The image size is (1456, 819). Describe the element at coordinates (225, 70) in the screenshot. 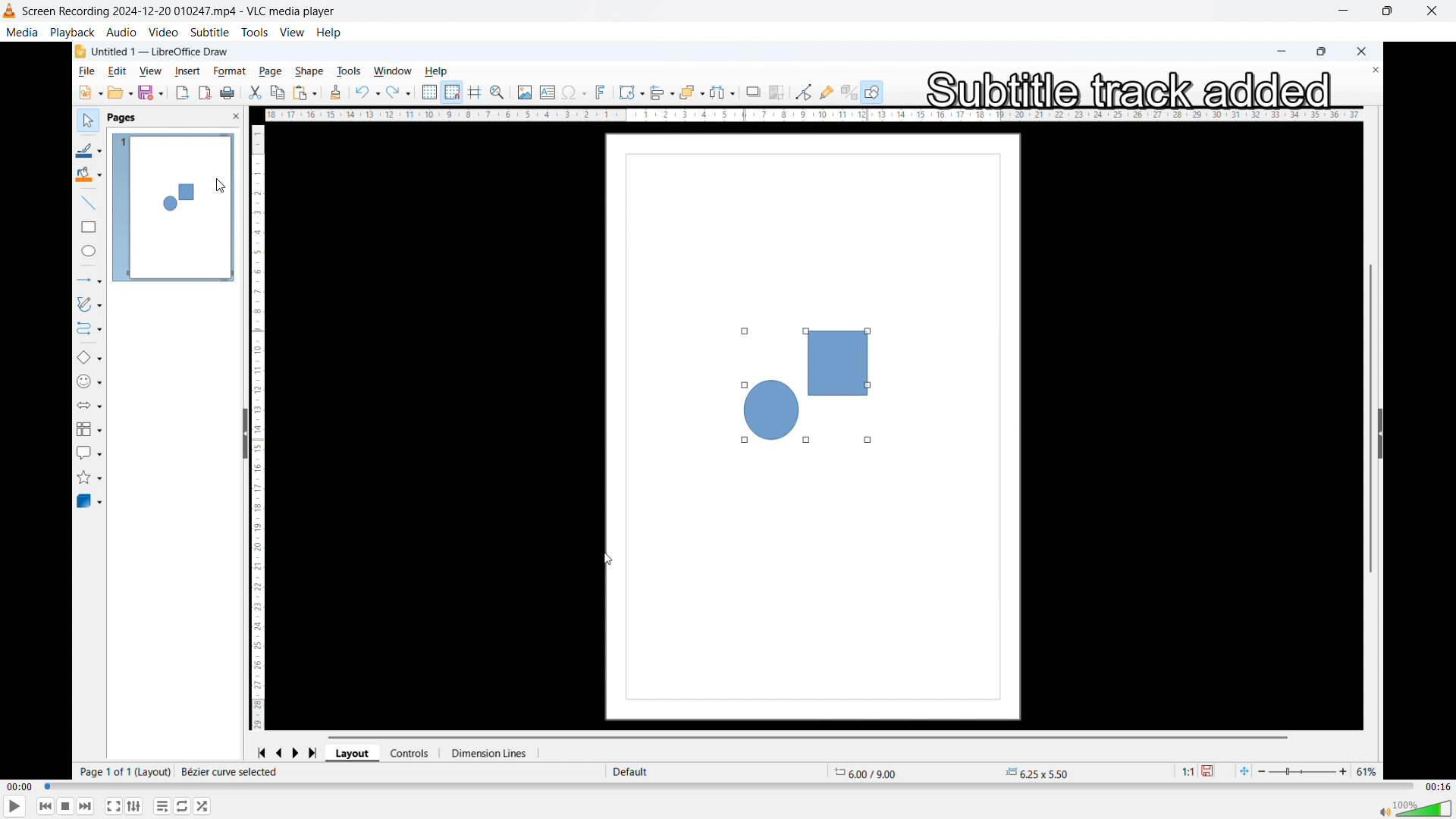

I see `format` at that location.